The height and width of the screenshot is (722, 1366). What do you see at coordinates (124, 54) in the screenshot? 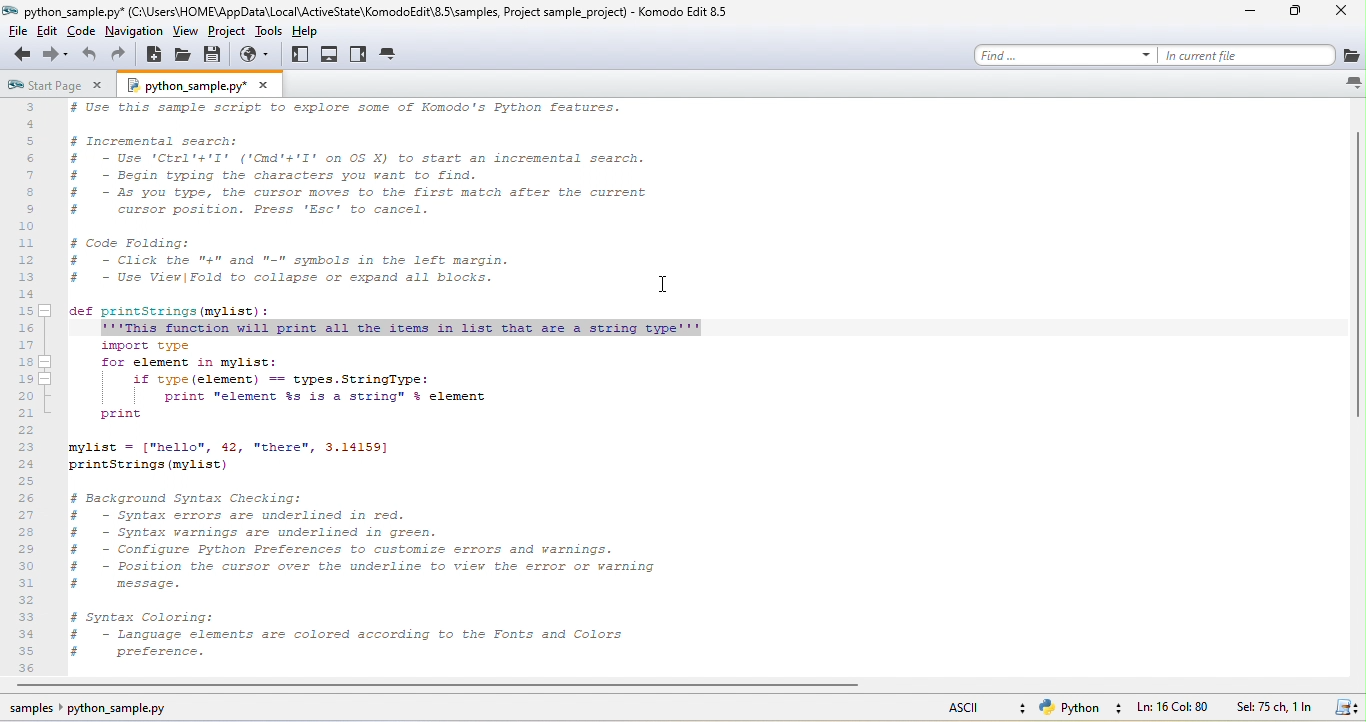
I see `redo` at bounding box center [124, 54].